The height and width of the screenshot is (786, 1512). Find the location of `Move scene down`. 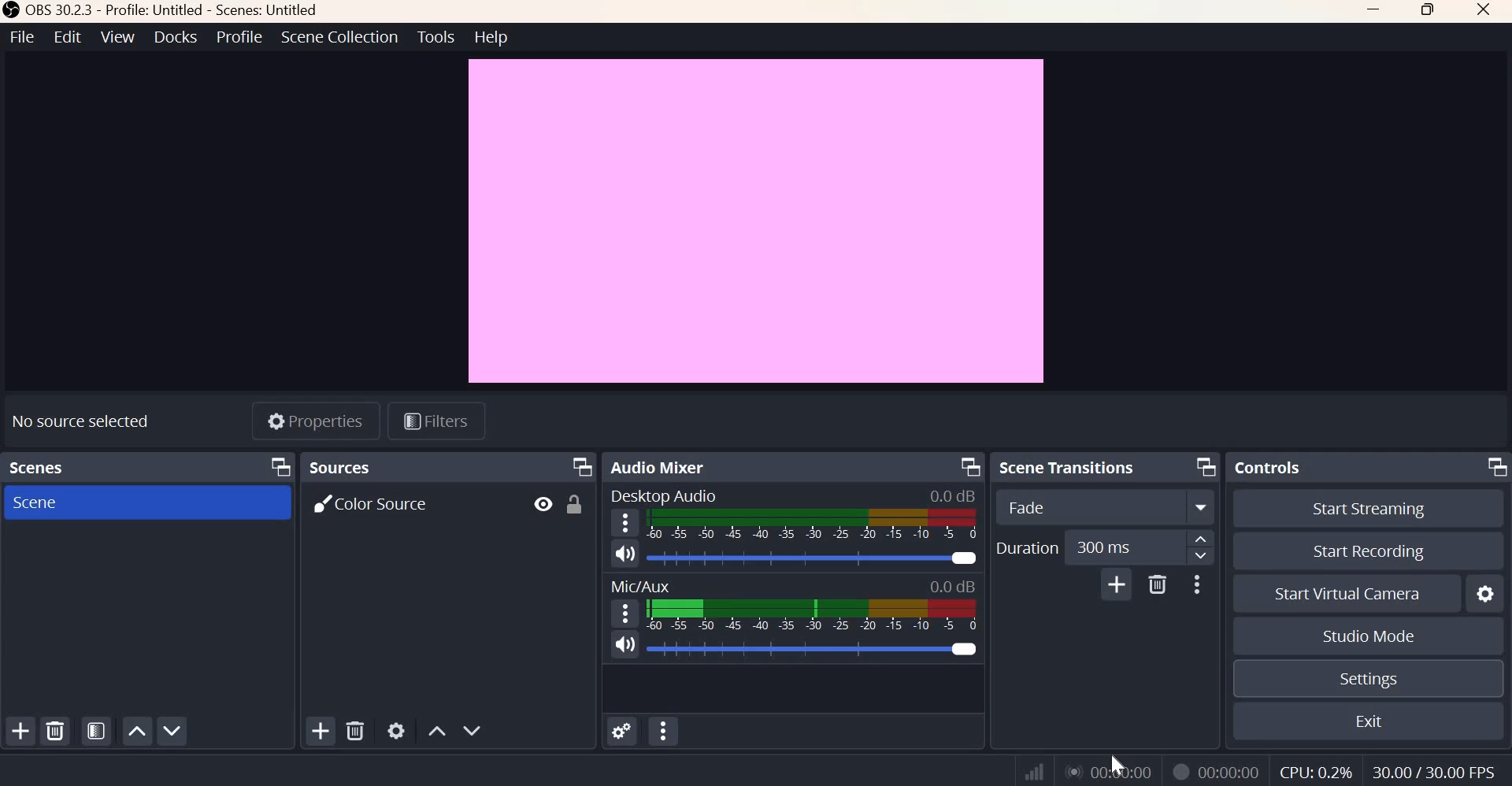

Move scene down is located at coordinates (174, 730).